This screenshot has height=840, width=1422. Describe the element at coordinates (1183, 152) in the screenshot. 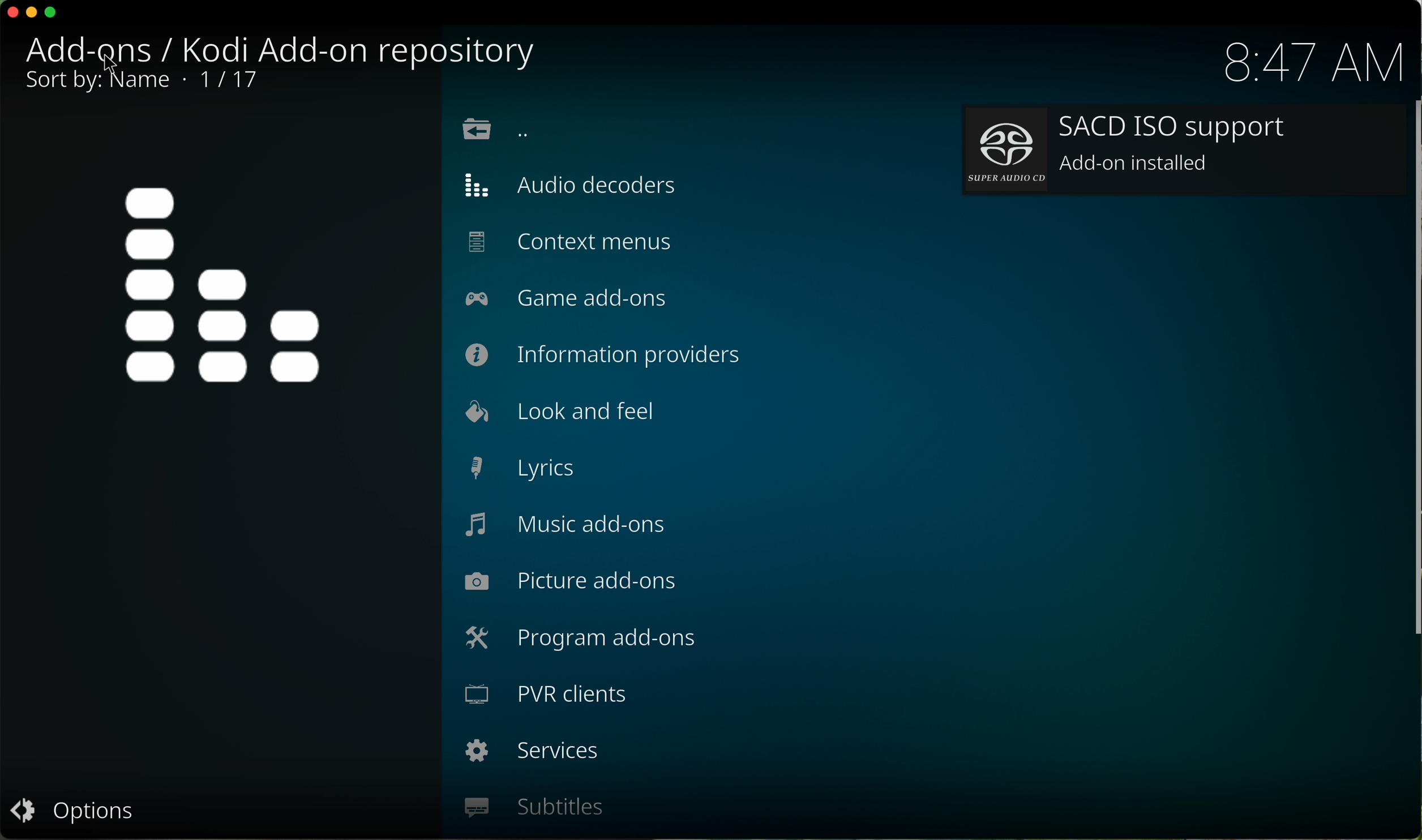

I see `add on installed` at that location.